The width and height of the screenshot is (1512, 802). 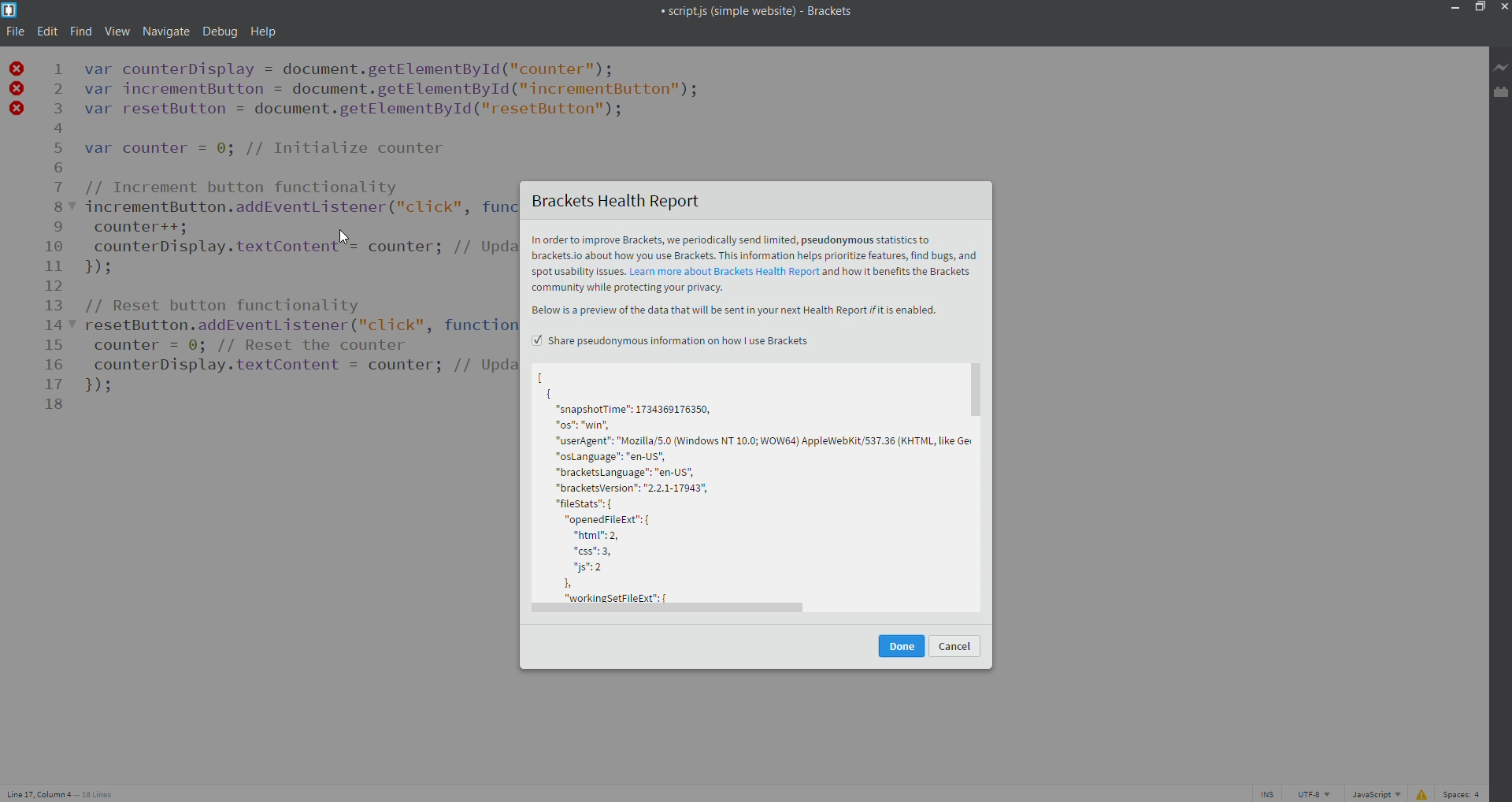 What do you see at coordinates (1265, 793) in the screenshot?
I see `cursor toggle` at bounding box center [1265, 793].